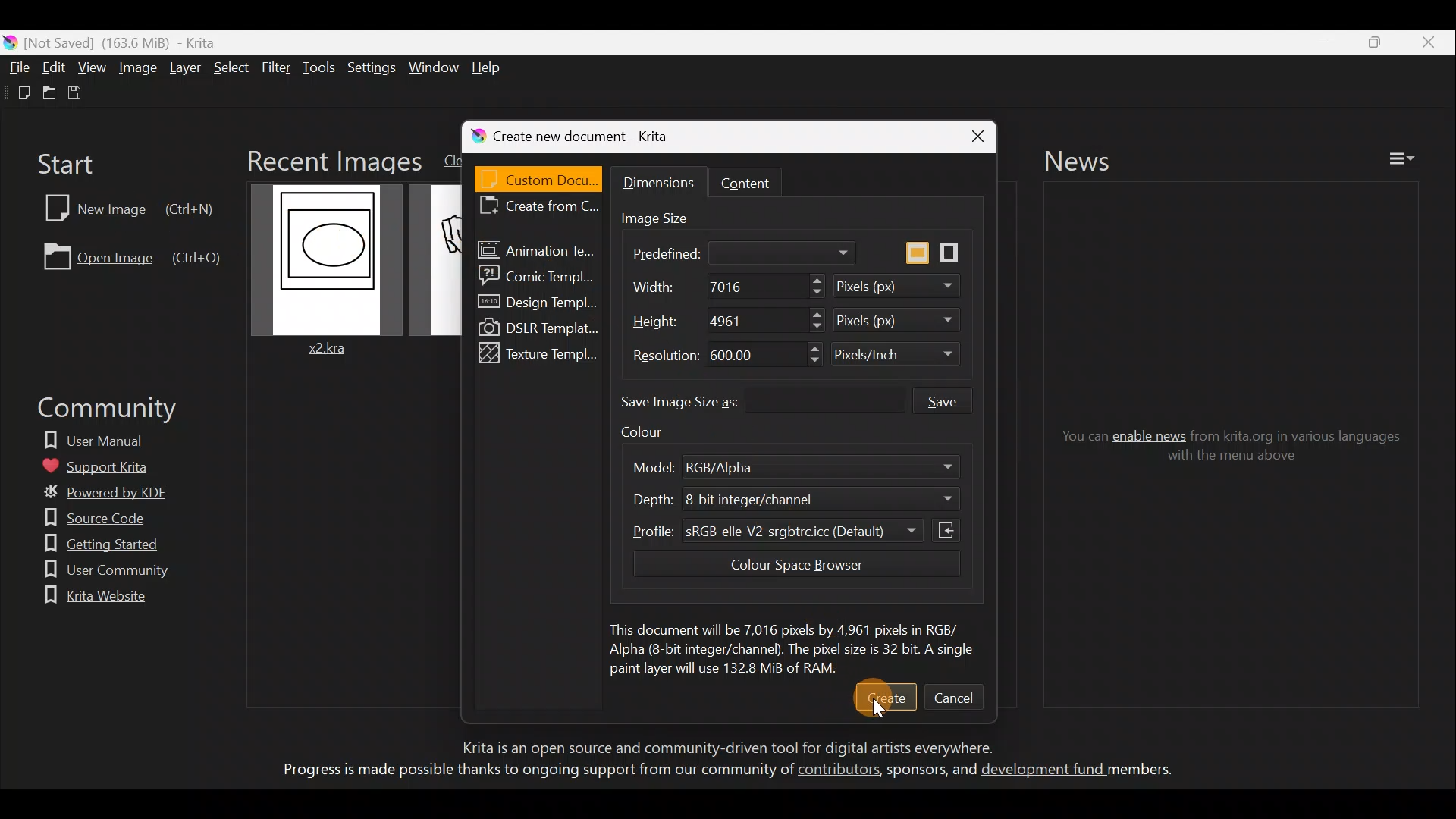 The height and width of the screenshot is (819, 1456). What do you see at coordinates (540, 275) in the screenshot?
I see `Comic templates` at bounding box center [540, 275].